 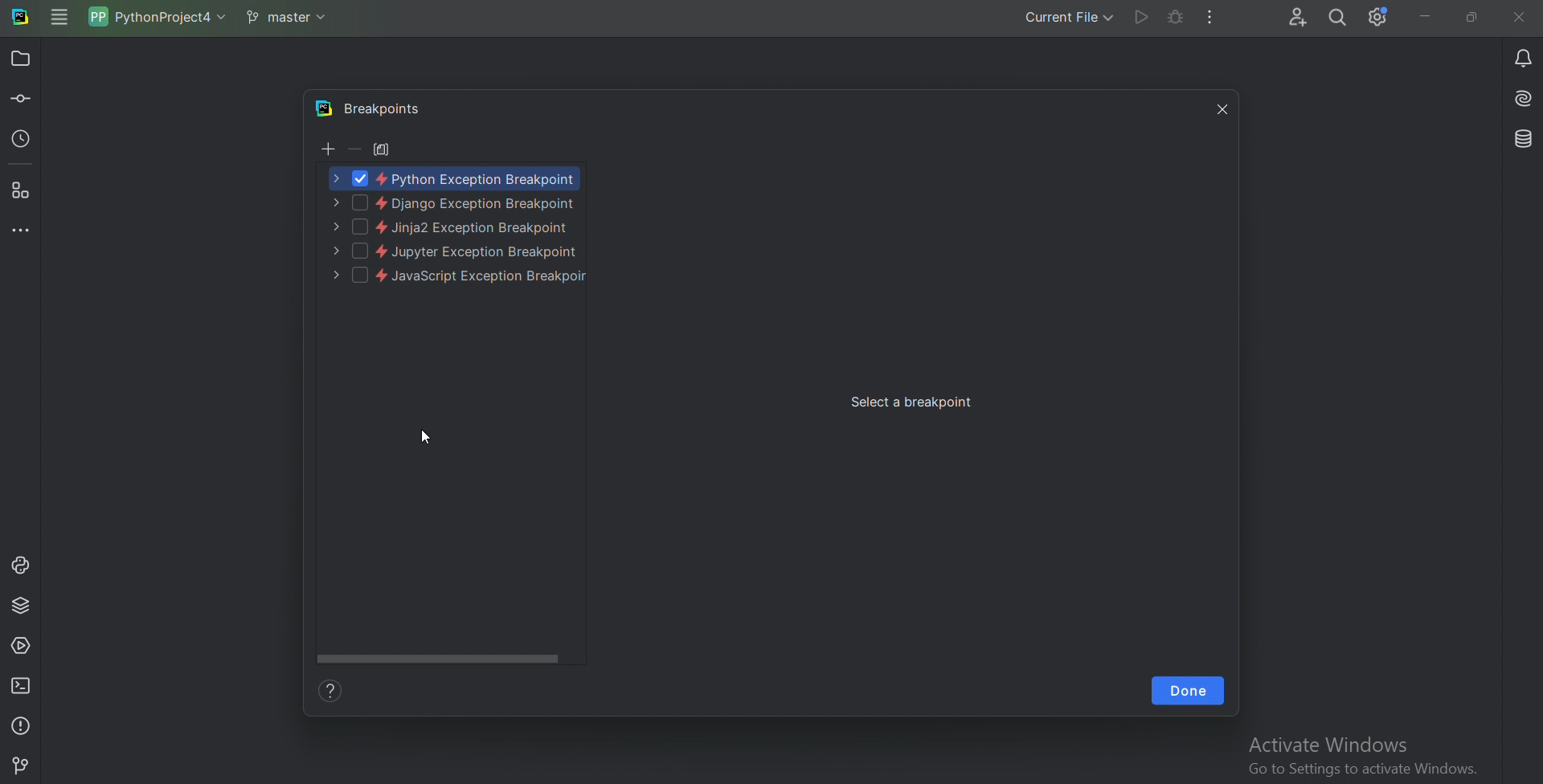 What do you see at coordinates (1218, 108) in the screenshot?
I see `cross` at bounding box center [1218, 108].